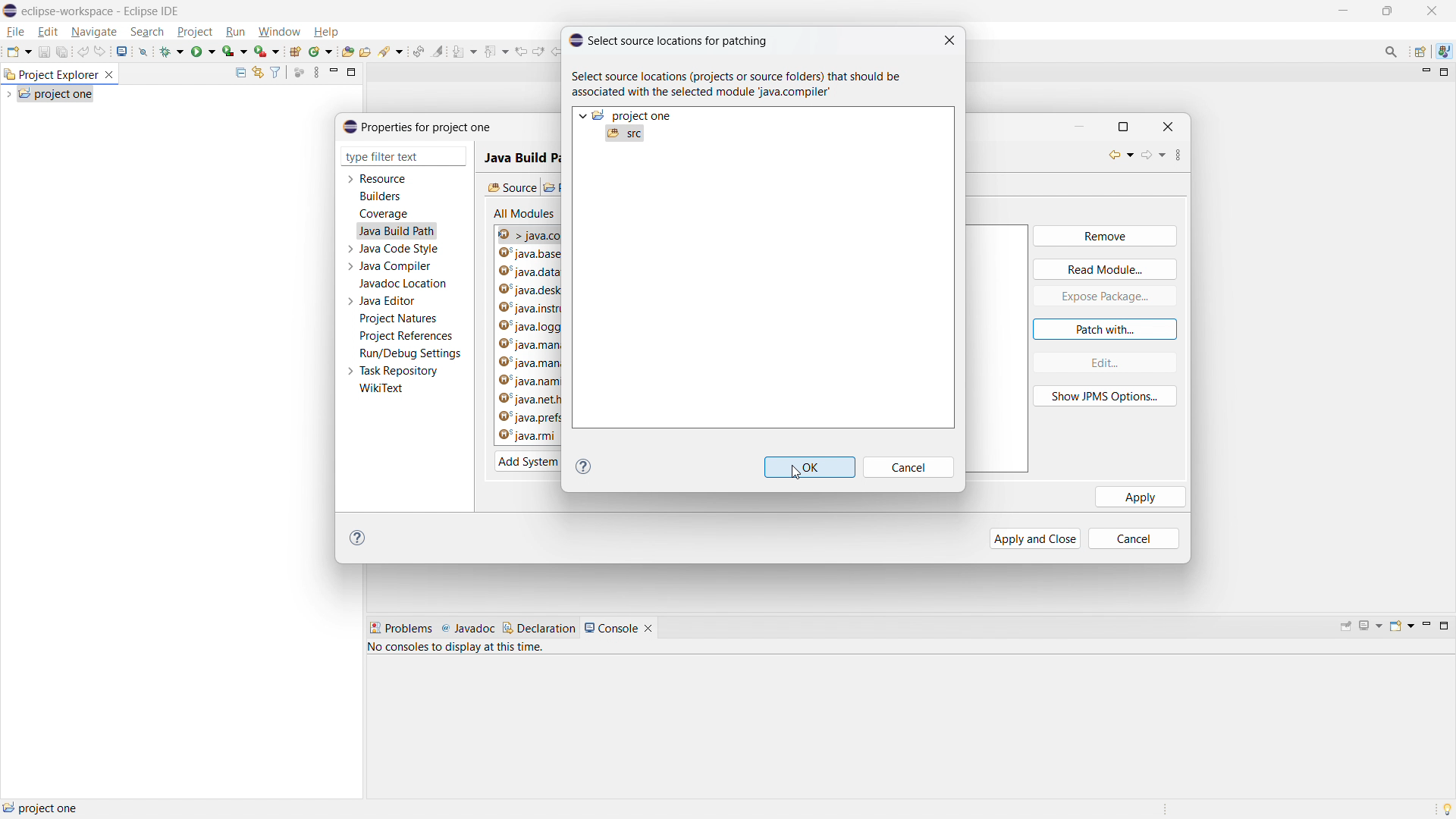 The height and width of the screenshot is (819, 1456). Describe the element at coordinates (1346, 627) in the screenshot. I see `pin console` at that location.